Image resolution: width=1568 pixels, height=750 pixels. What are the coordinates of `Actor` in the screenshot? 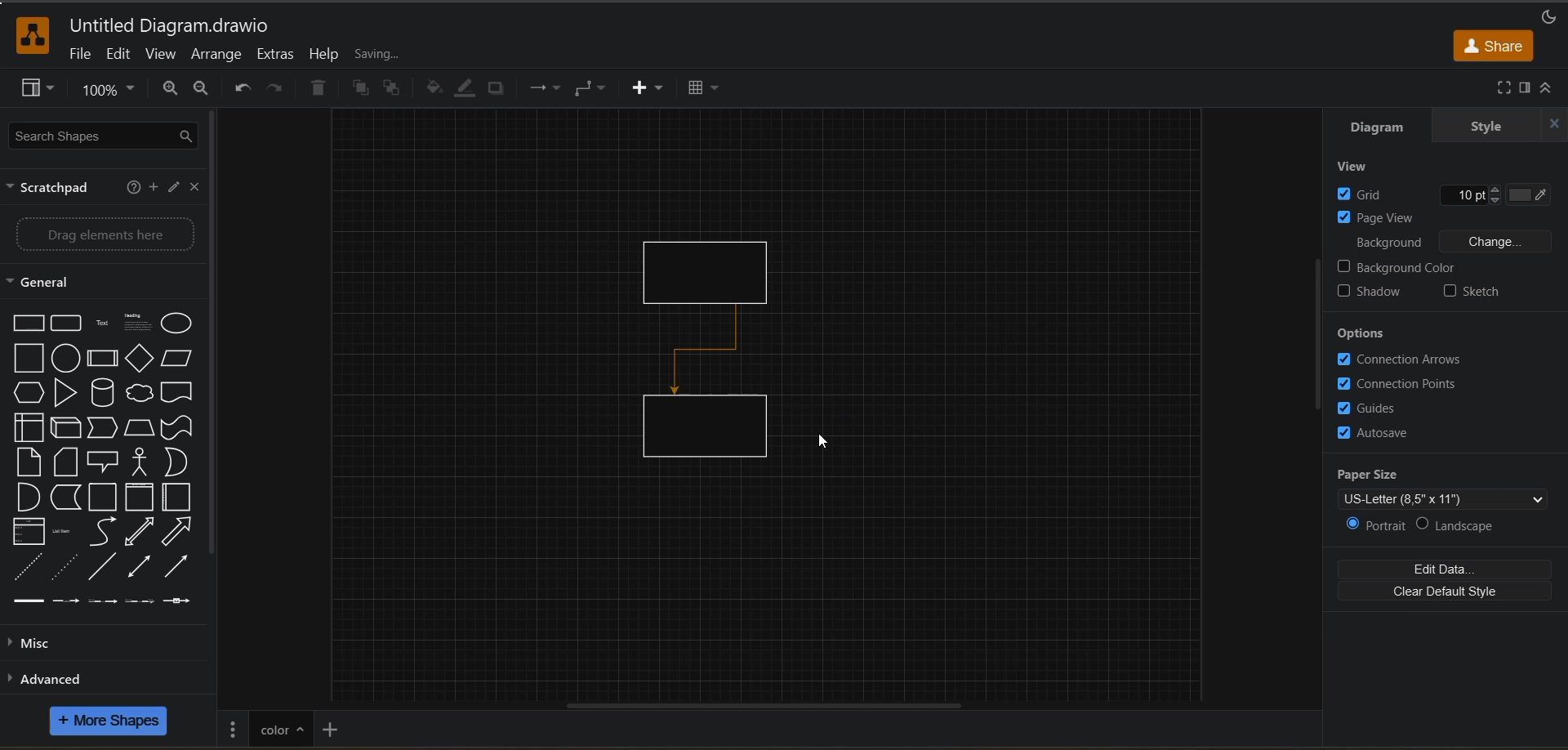 It's located at (144, 462).